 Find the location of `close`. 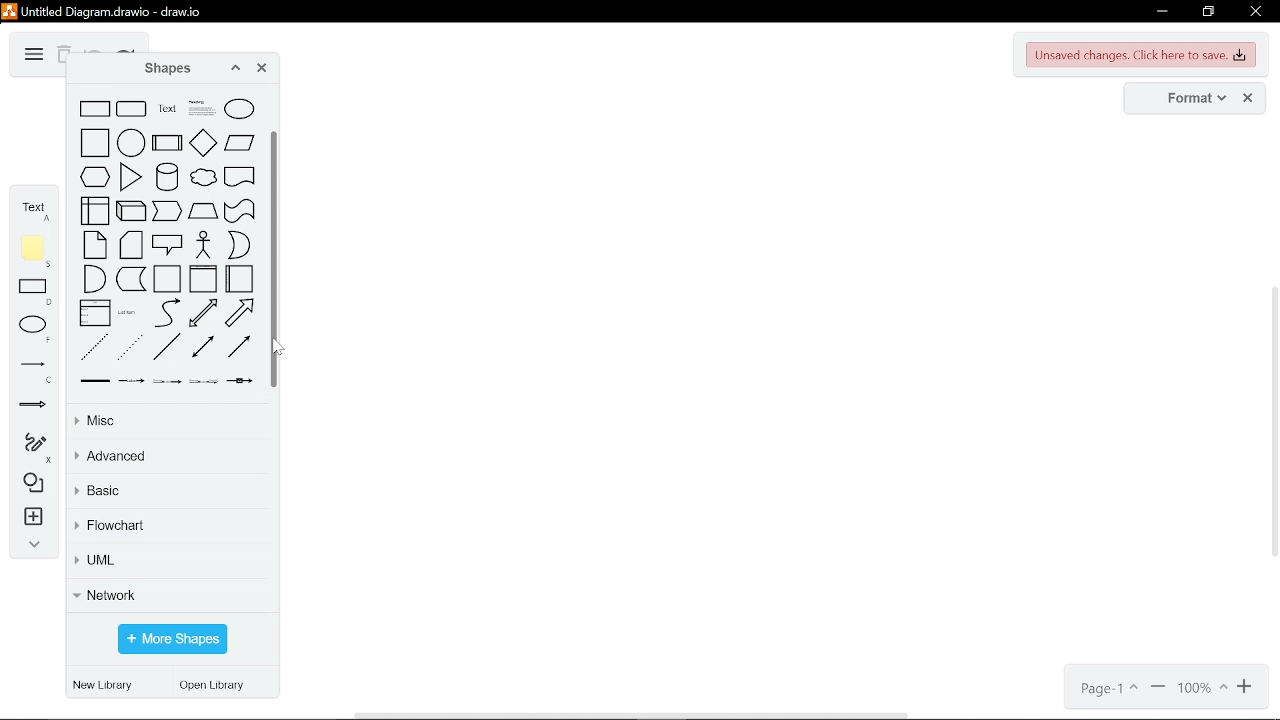

close is located at coordinates (1248, 99).